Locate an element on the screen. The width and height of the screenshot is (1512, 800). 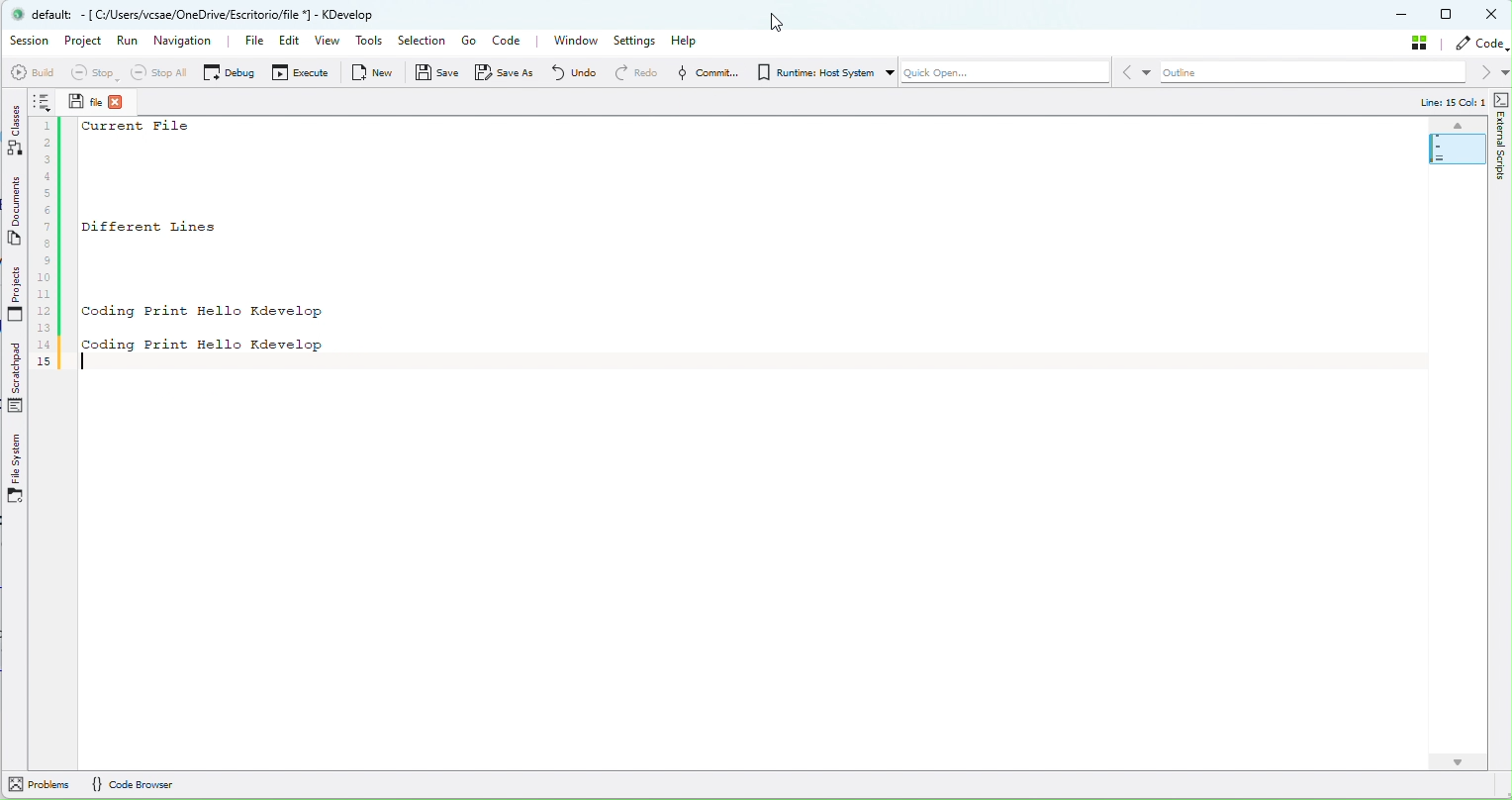
Stop all is located at coordinates (155, 72).